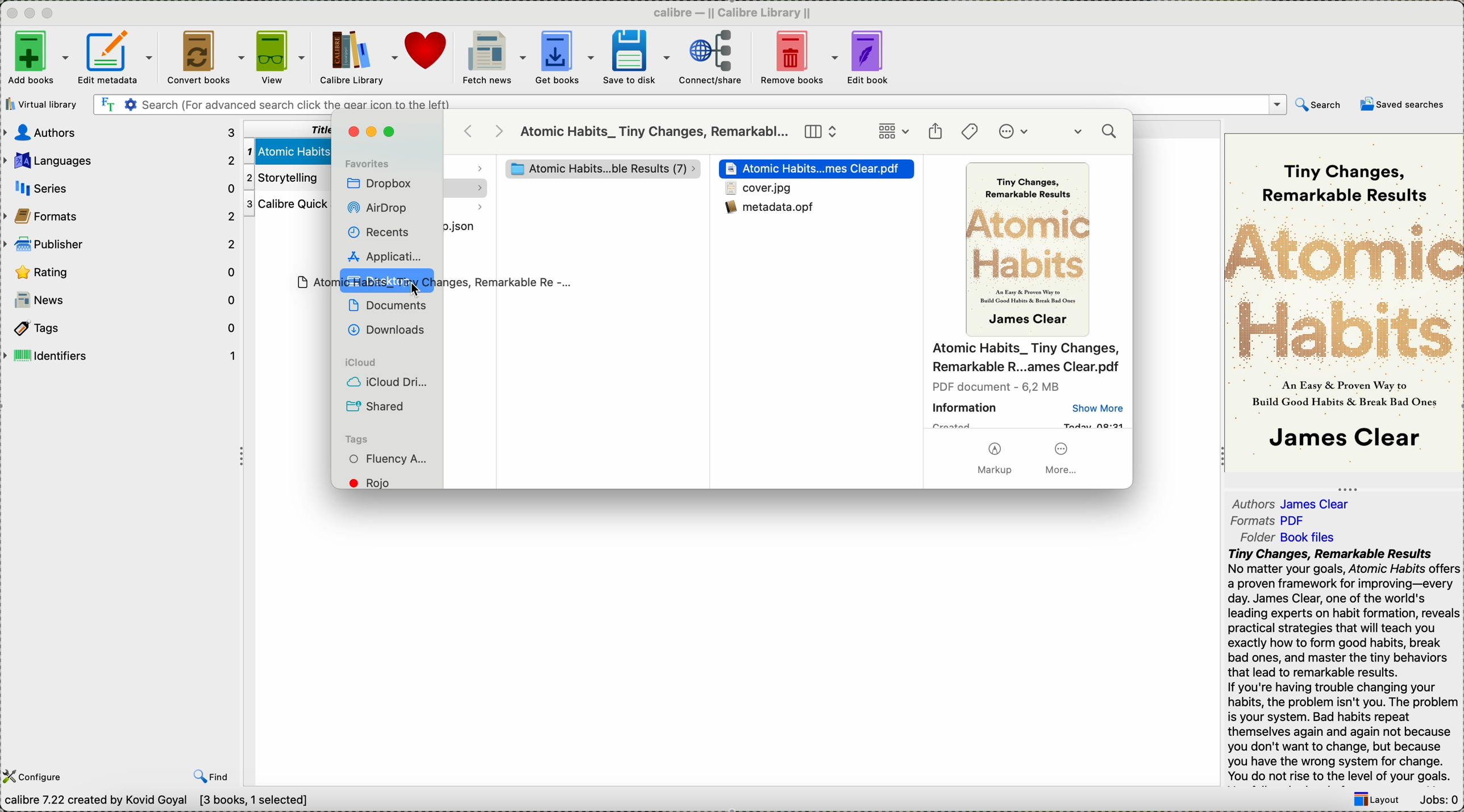 The width and height of the screenshot is (1464, 812). I want to click on calibre library, so click(359, 59).